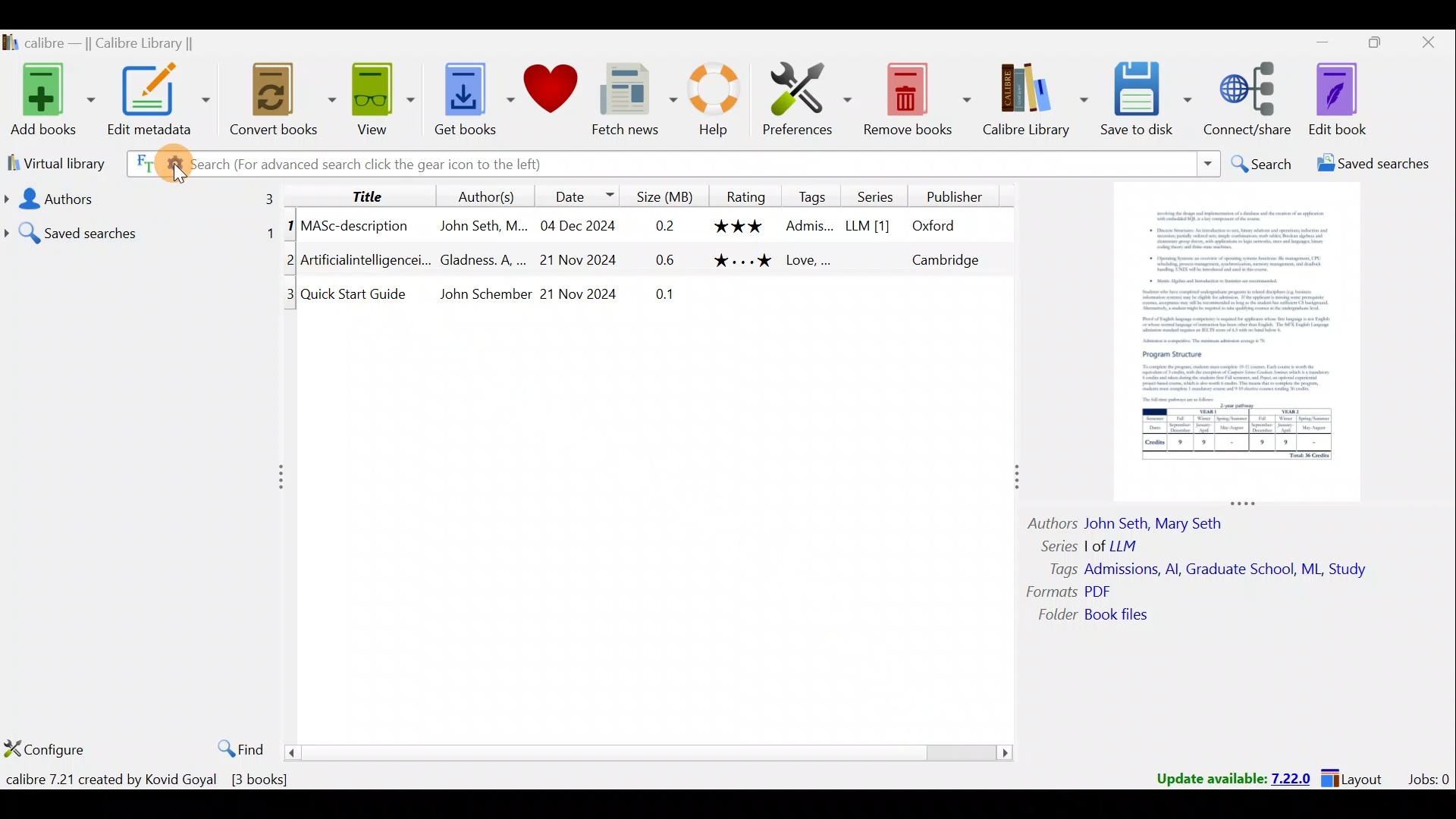 The image size is (1456, 819). I want to click on Saved searches, so click(1369, 165).